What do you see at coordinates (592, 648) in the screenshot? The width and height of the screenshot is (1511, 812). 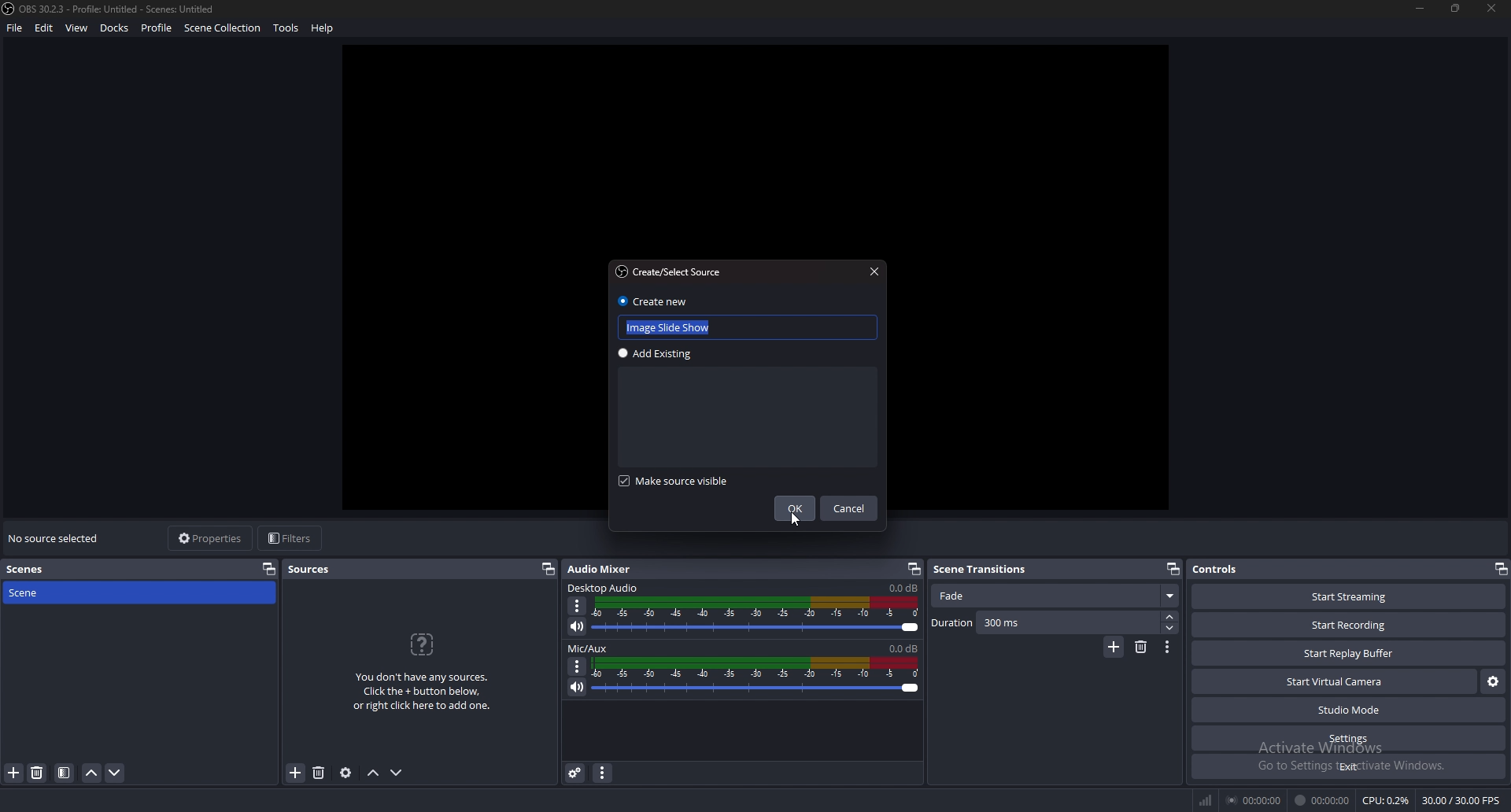 I see `mic/aux` at bounding box center [592, 648].